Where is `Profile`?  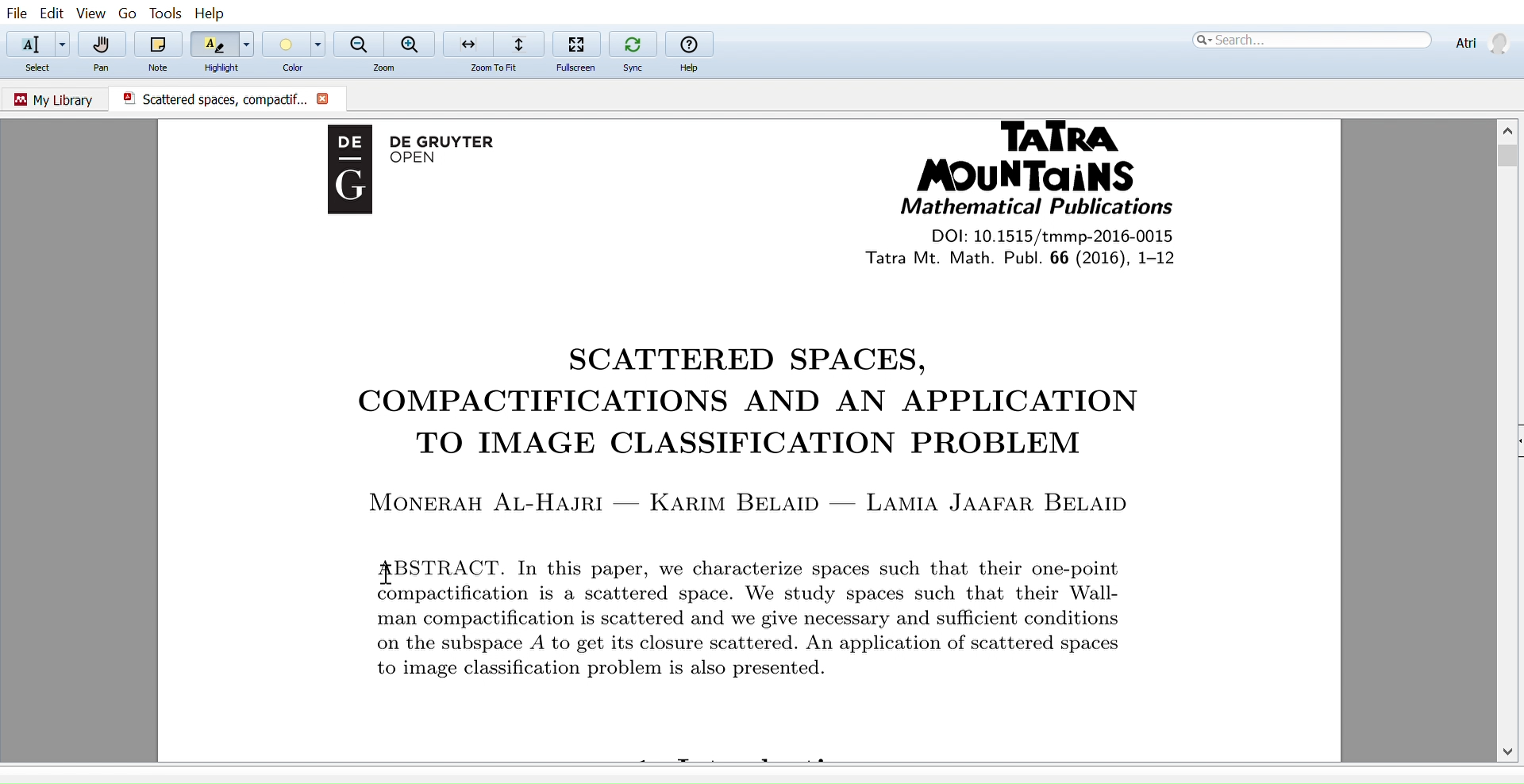
Profile is located at coordinates (1480, 41).